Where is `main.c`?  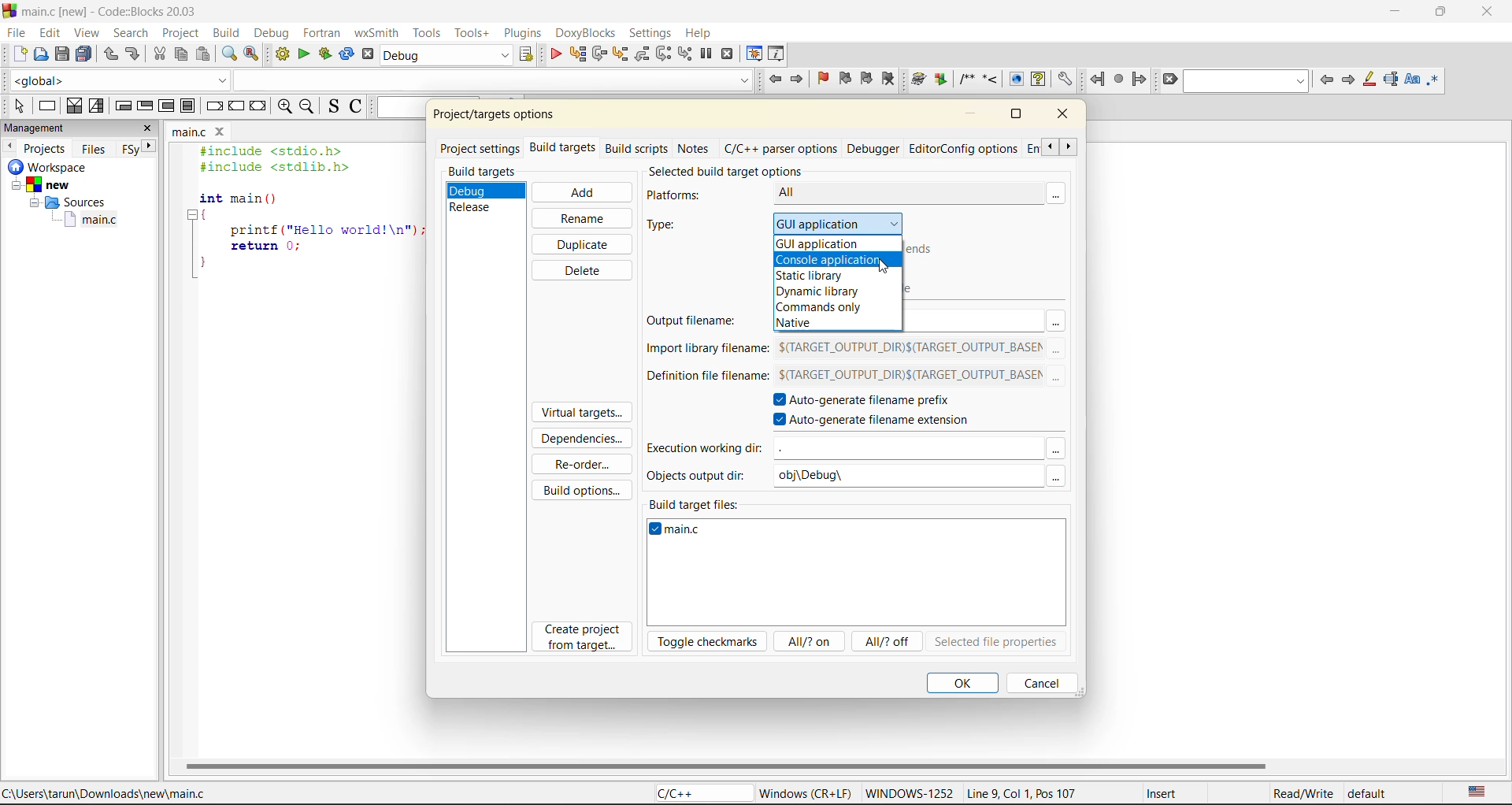 main.c is located at coordinates (94, 222).